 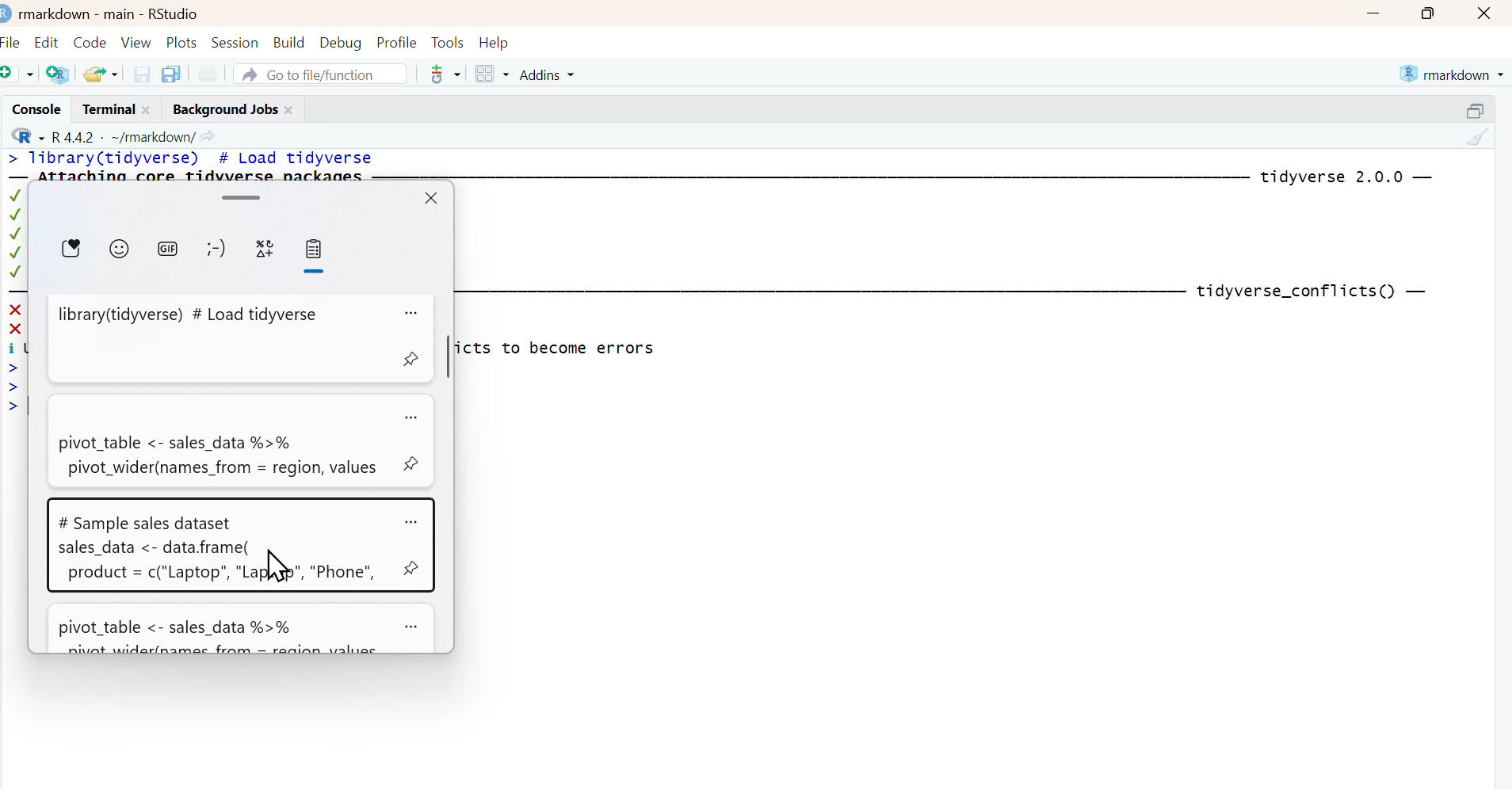 What do you see at coordinates (276, 567) in the screenshot?
I see `cursor` at bounding box center [276, 567].